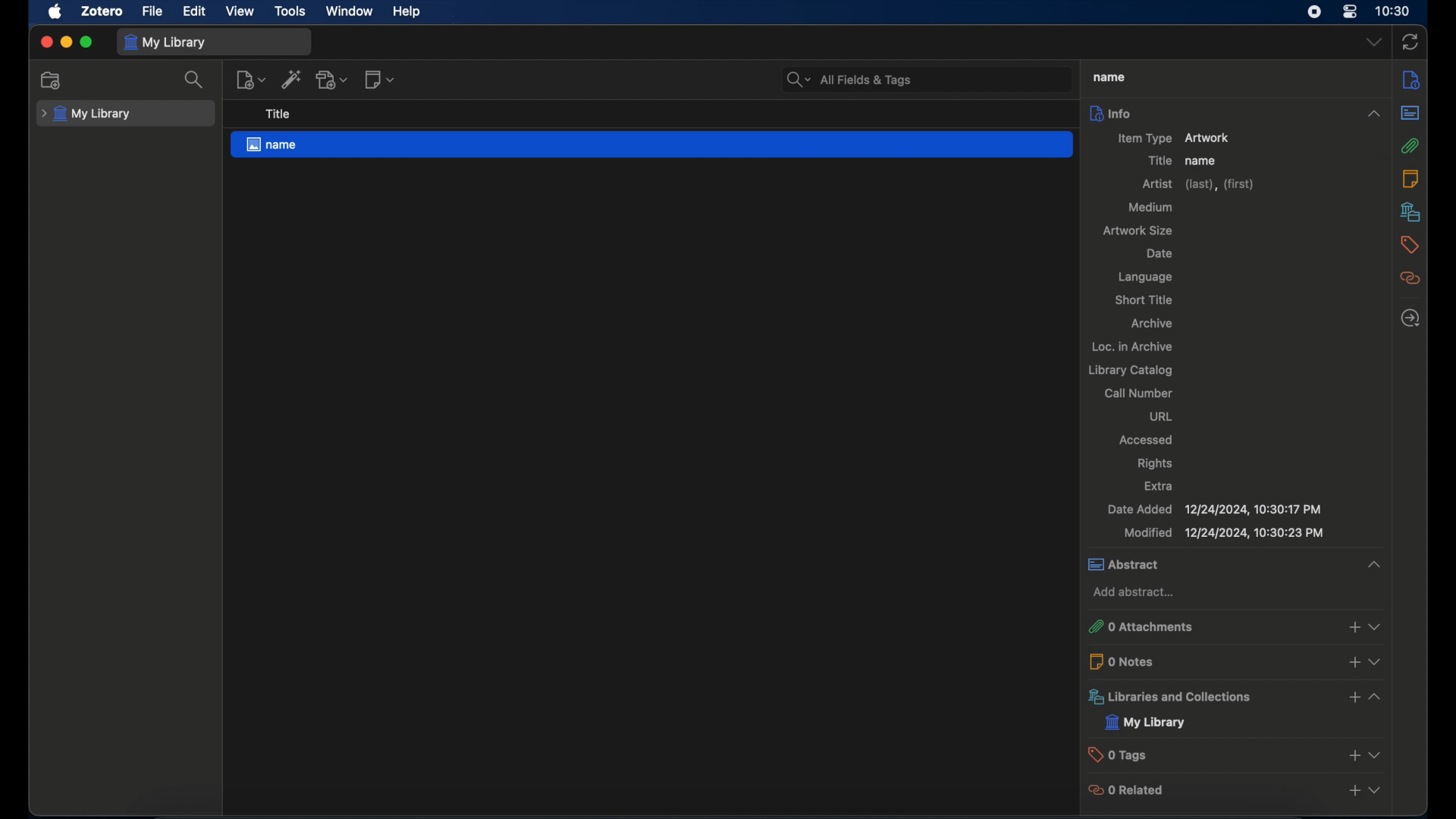 This screenshot has height=819, width=1456. I want to click on sync, so click(1411, 42).